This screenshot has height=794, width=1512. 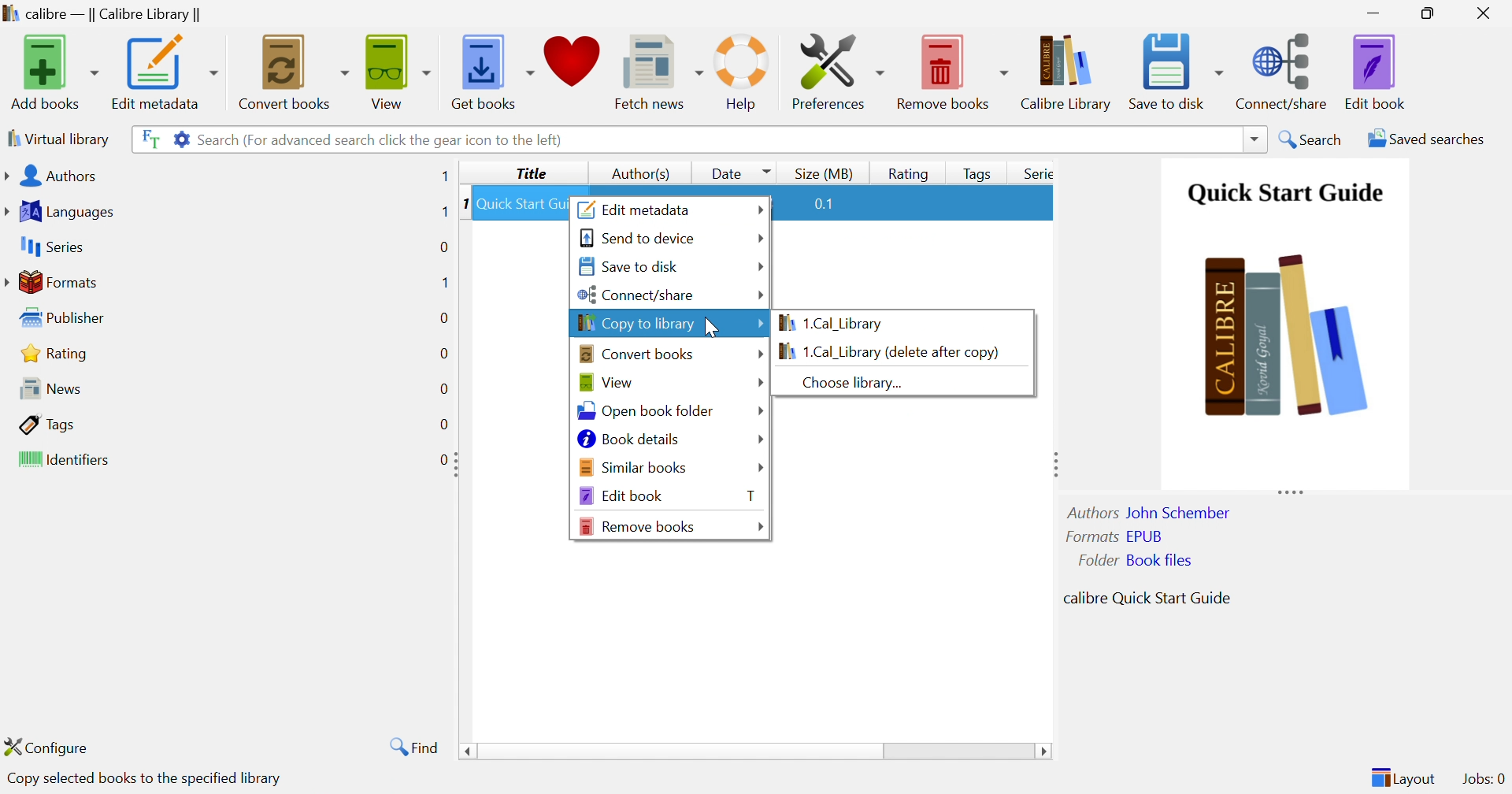 What do you see at coordinates (637, 321) in the screenshot?
I see `Copy to library` at bounding box center [637, 321].